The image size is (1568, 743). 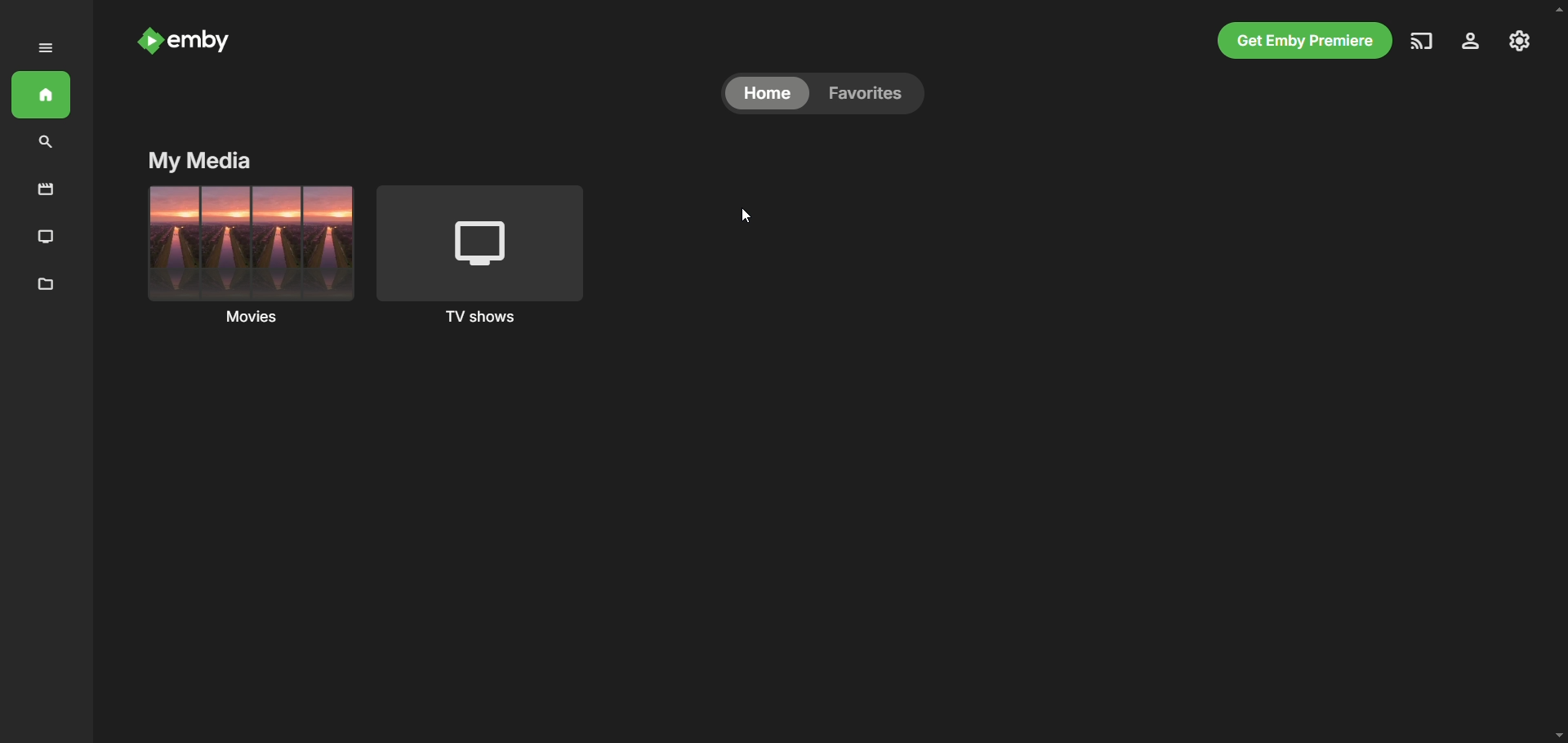 What do you see at coordinates (198, 162) in the screenshot?
I see `my media` at bounding box center [198, 162].